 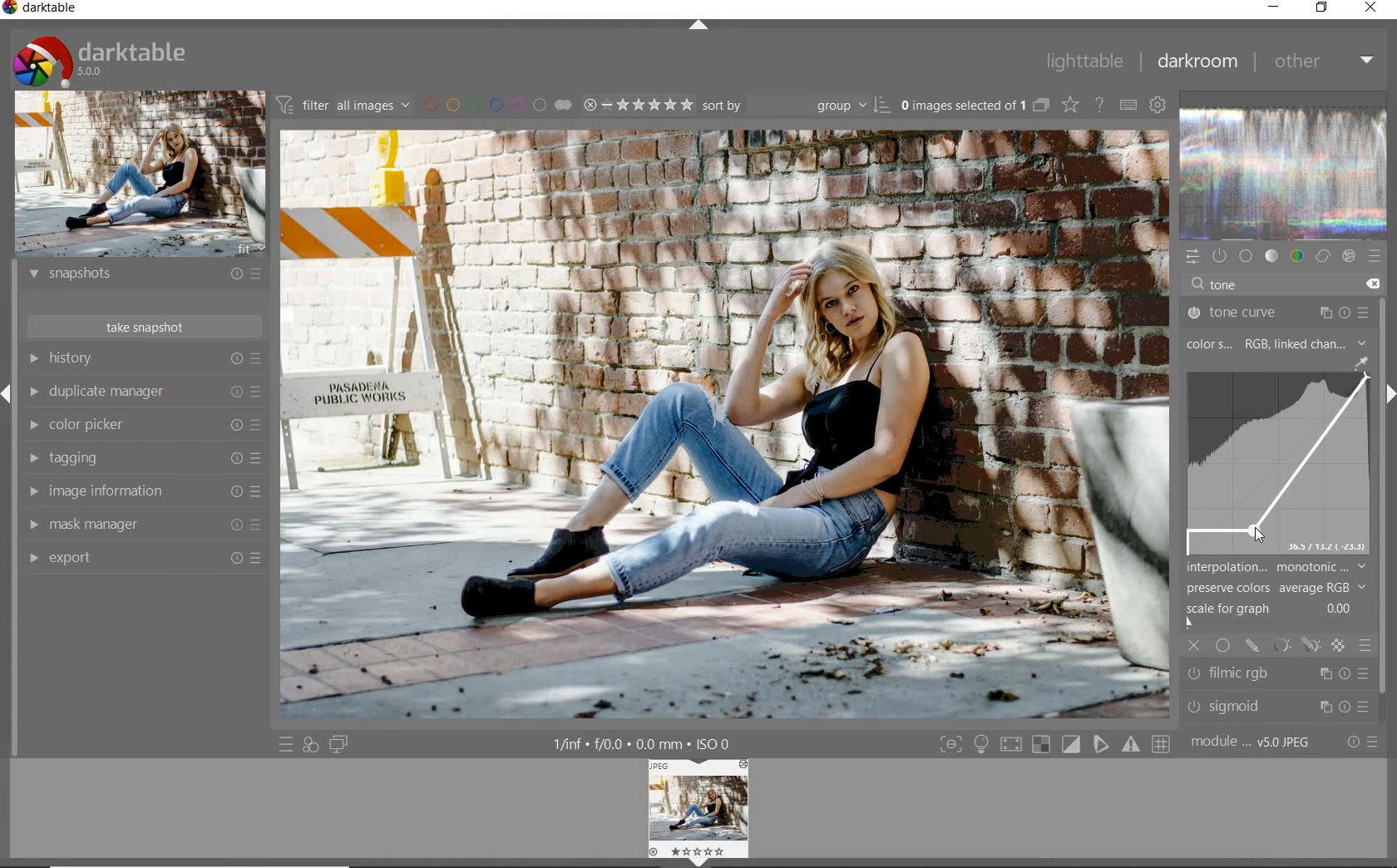 I want to click on restore, so click(x=1322, y=8).